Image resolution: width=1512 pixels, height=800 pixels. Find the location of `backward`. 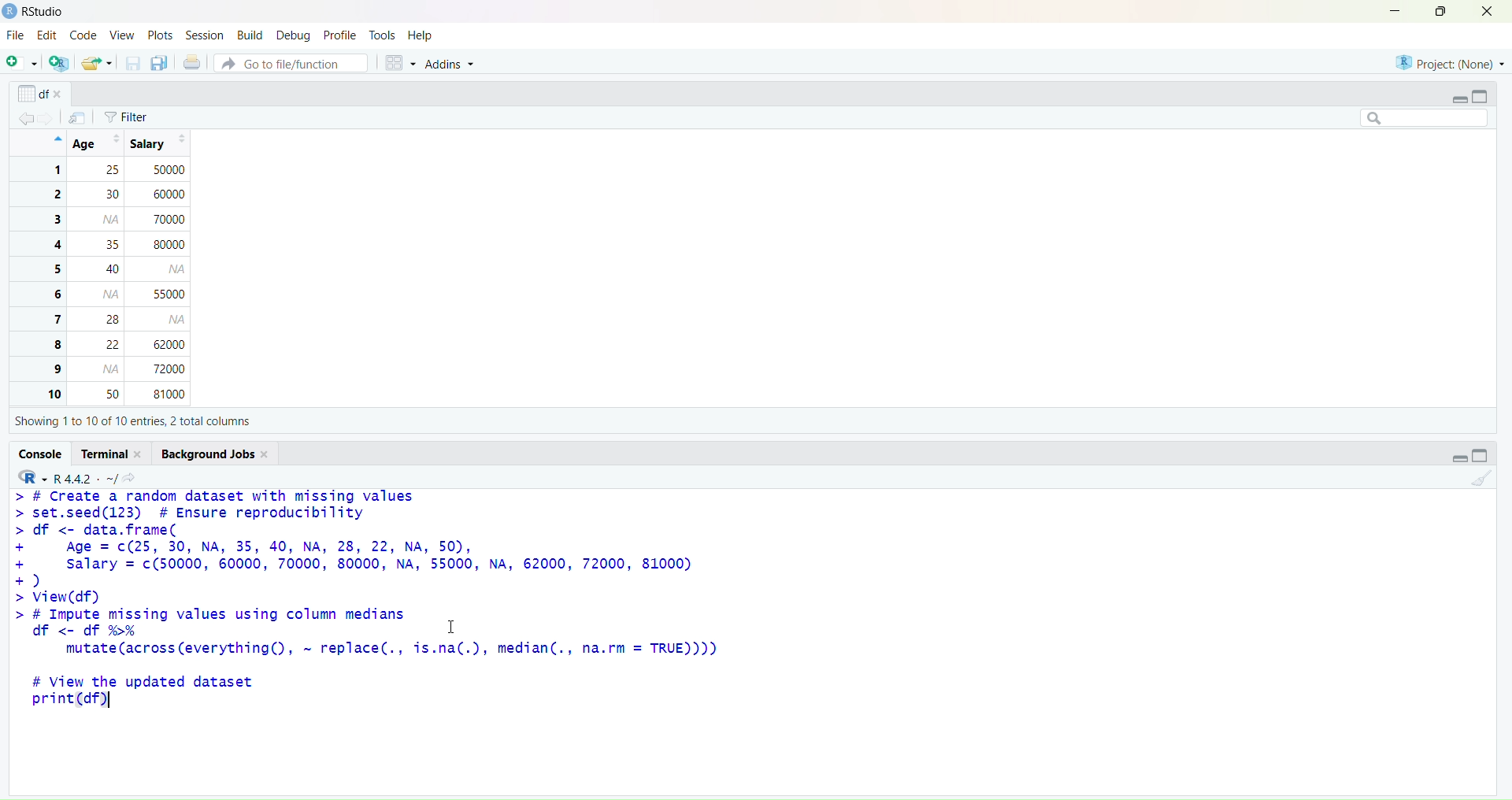

backward is located at coordinates (27, 117).